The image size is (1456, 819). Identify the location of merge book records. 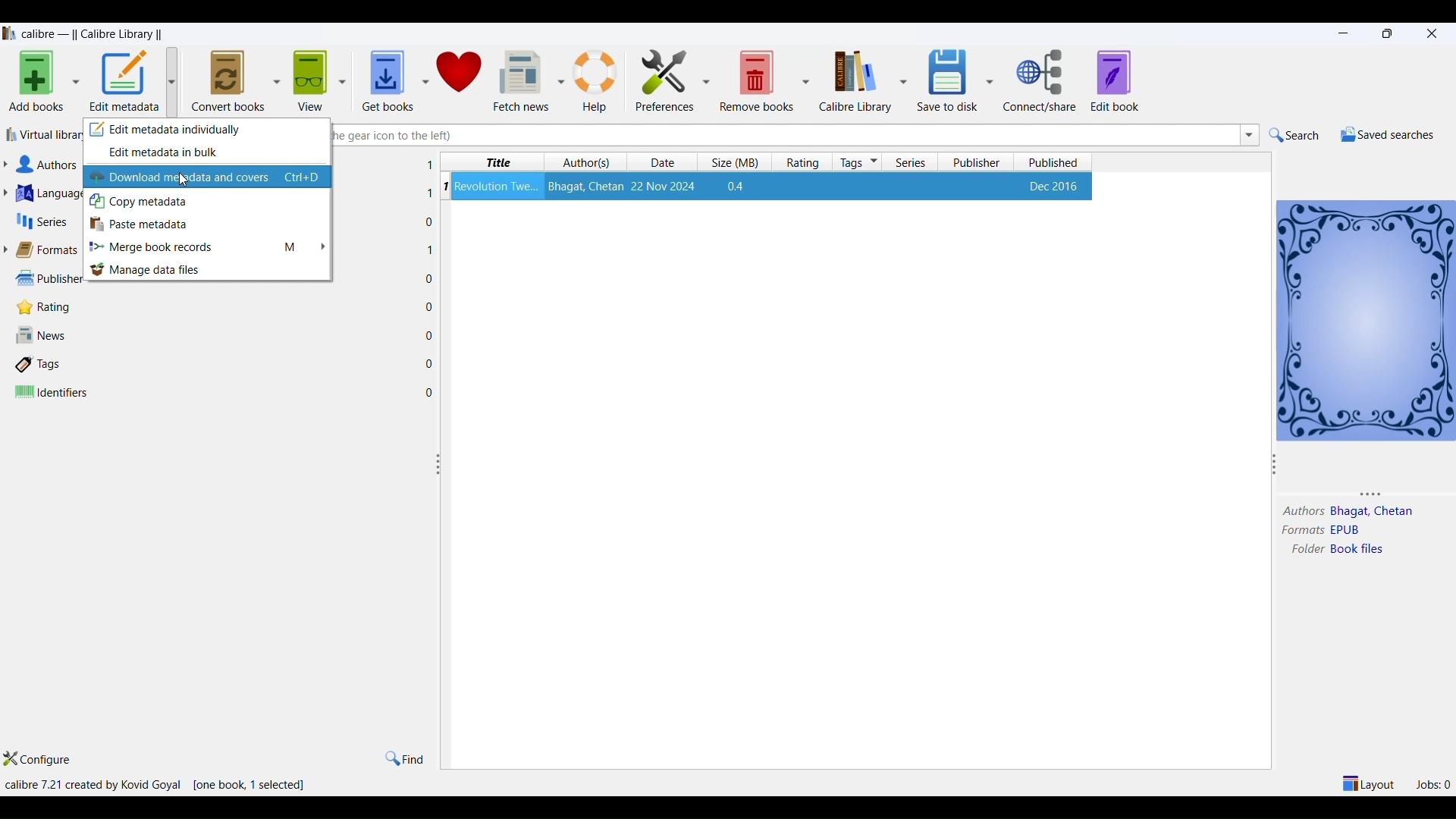
(209, 247).